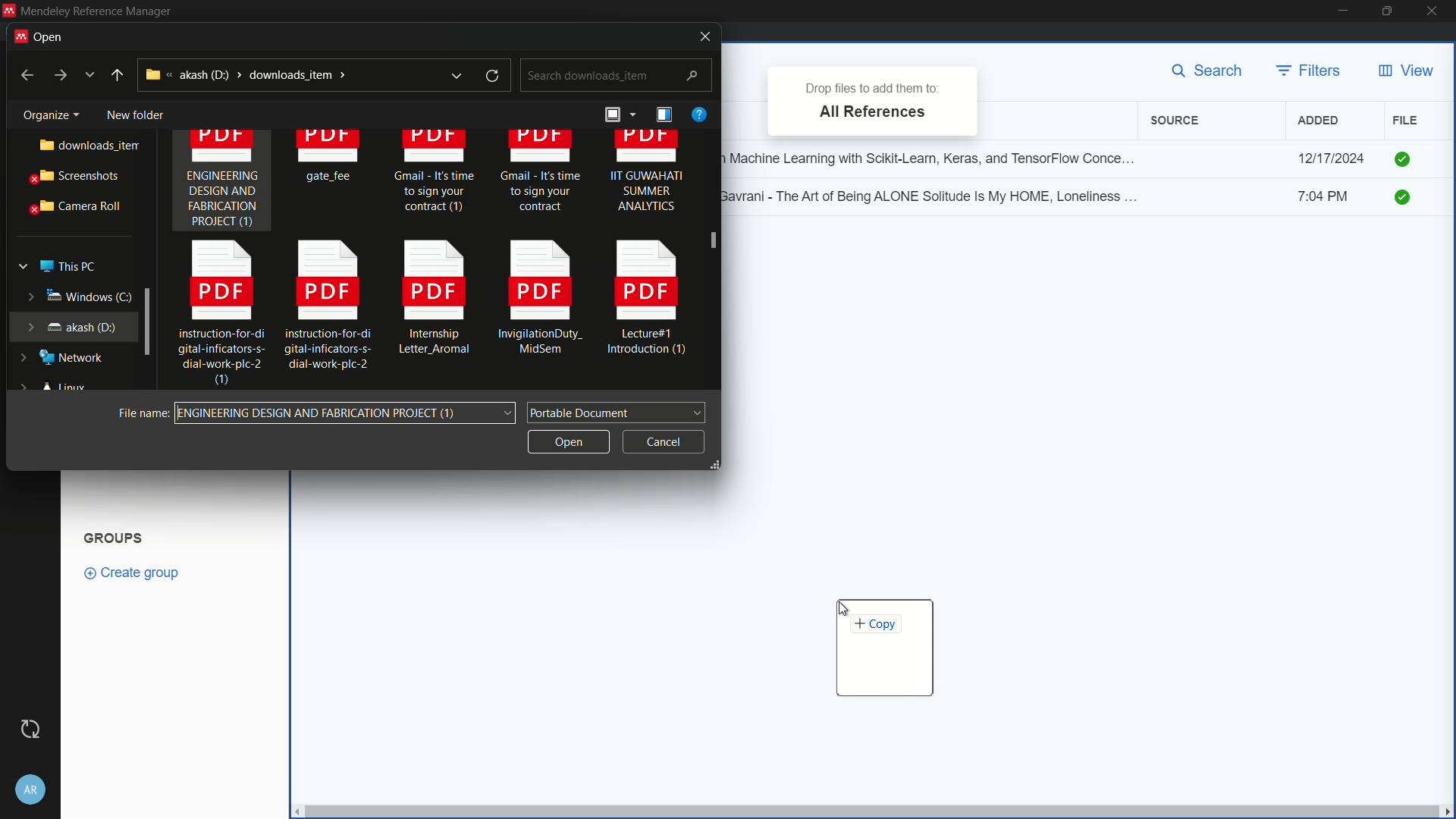 The image size is (1456, 819). I want to click on Mendeley Reference Manager, so click(96, 11).